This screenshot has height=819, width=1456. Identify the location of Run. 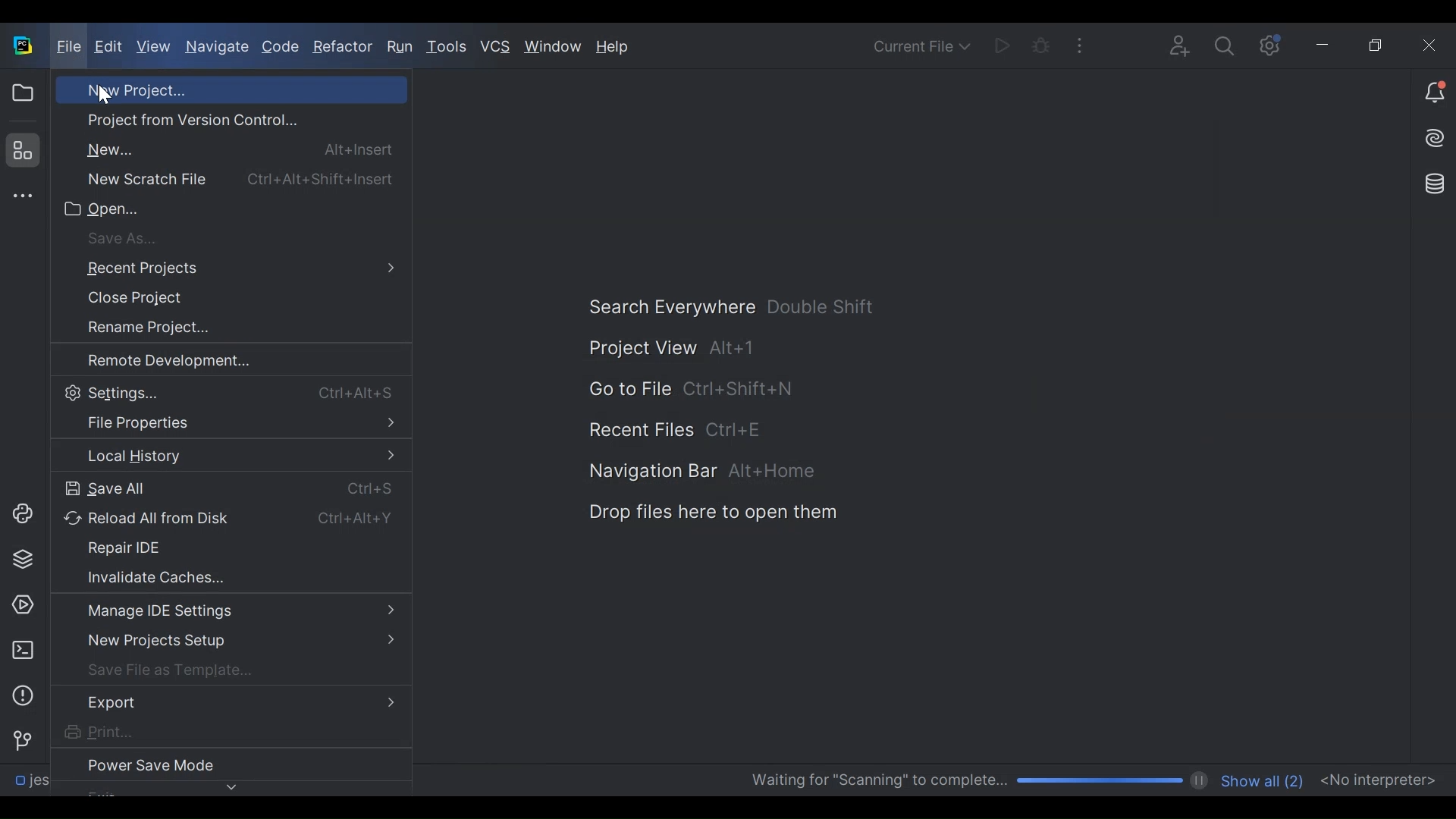
(1000, 46).